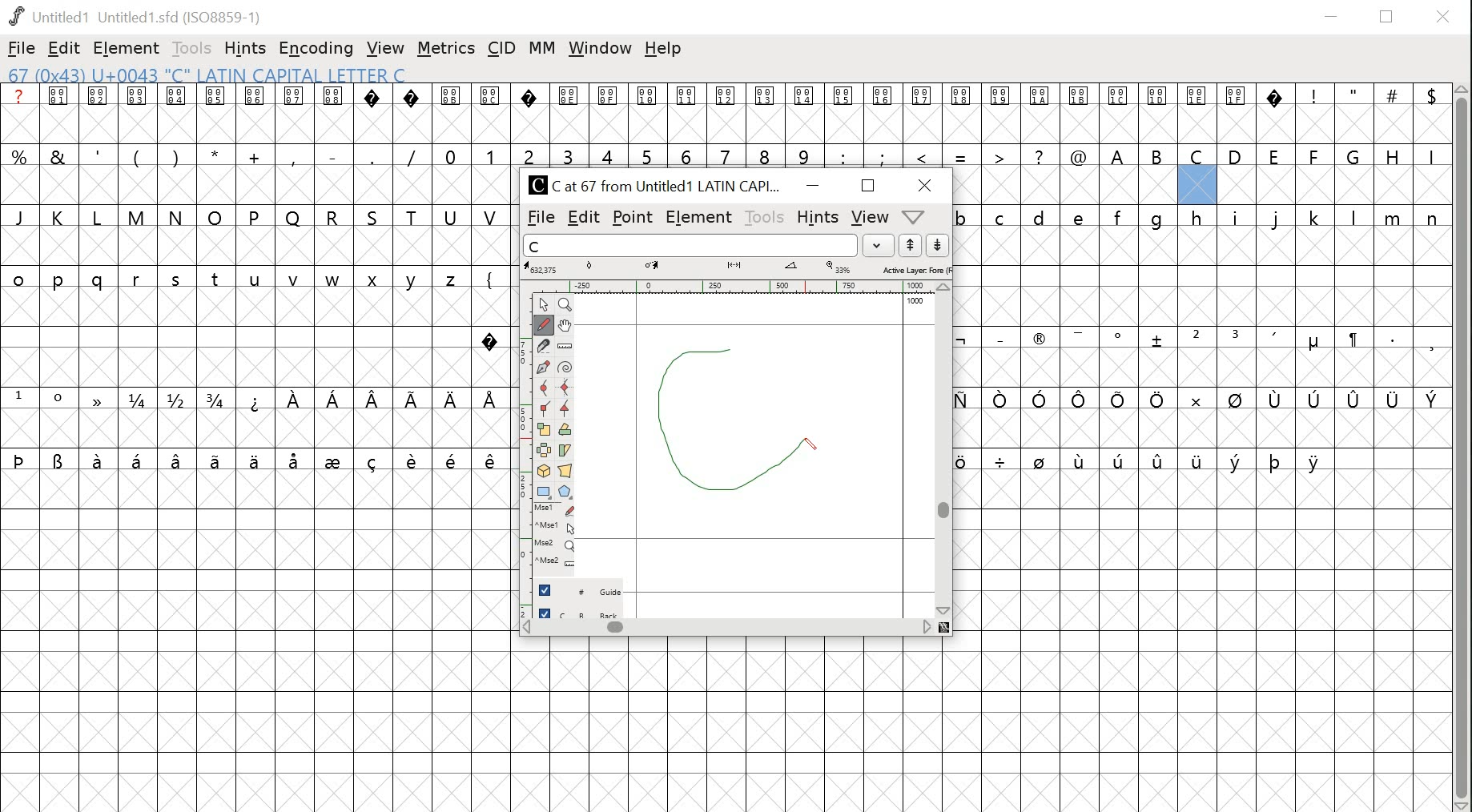 This screenshot has height=812, width=1472. Describe the element at coordinates (566, 326) in the screenshot. I see `pan` at that location.